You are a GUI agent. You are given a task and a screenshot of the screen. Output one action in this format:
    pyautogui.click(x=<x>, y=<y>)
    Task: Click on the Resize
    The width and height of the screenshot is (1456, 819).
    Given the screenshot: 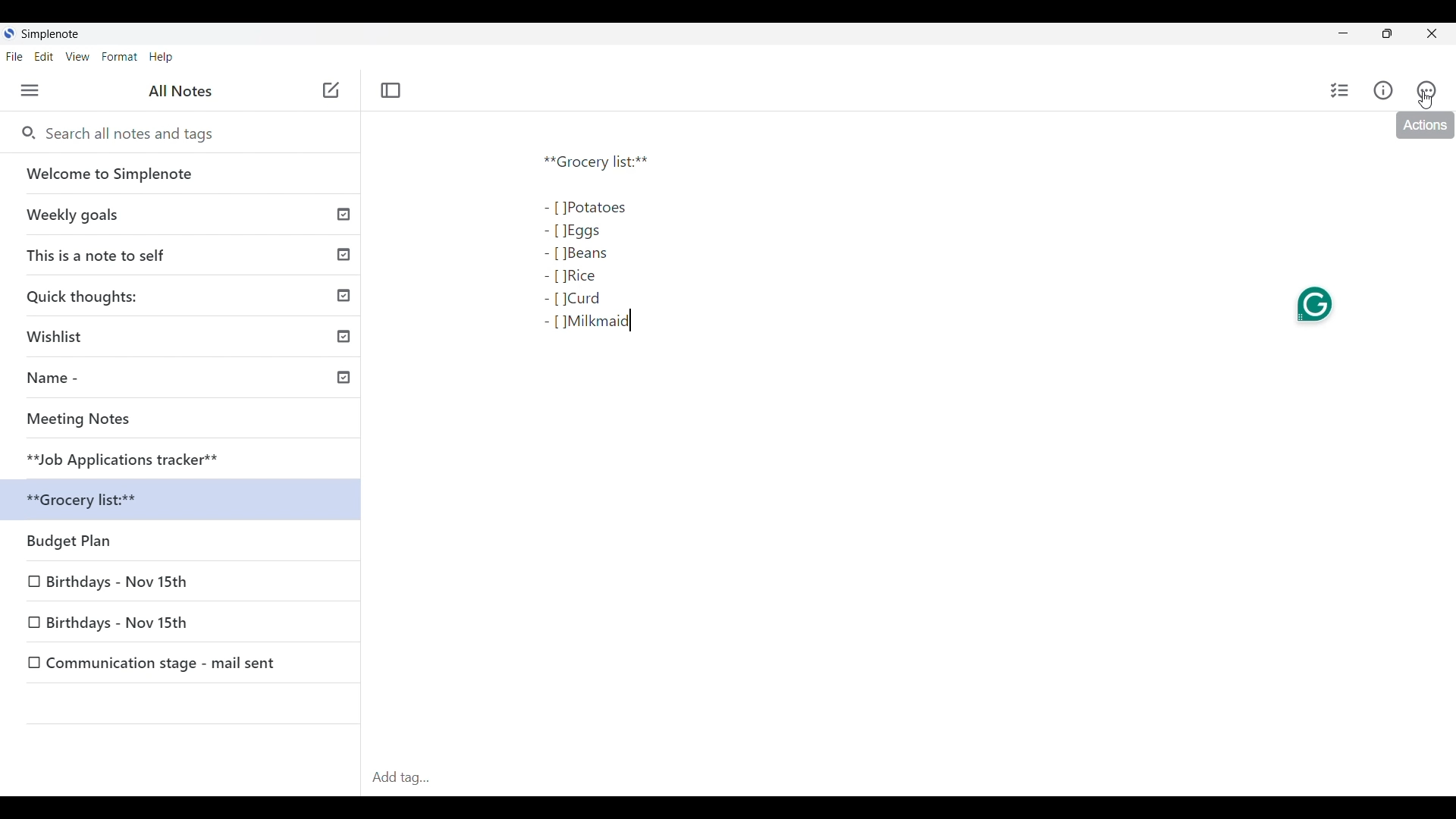 What is the action you would take?
    pyautogui.click(x=1385, y=36)
    